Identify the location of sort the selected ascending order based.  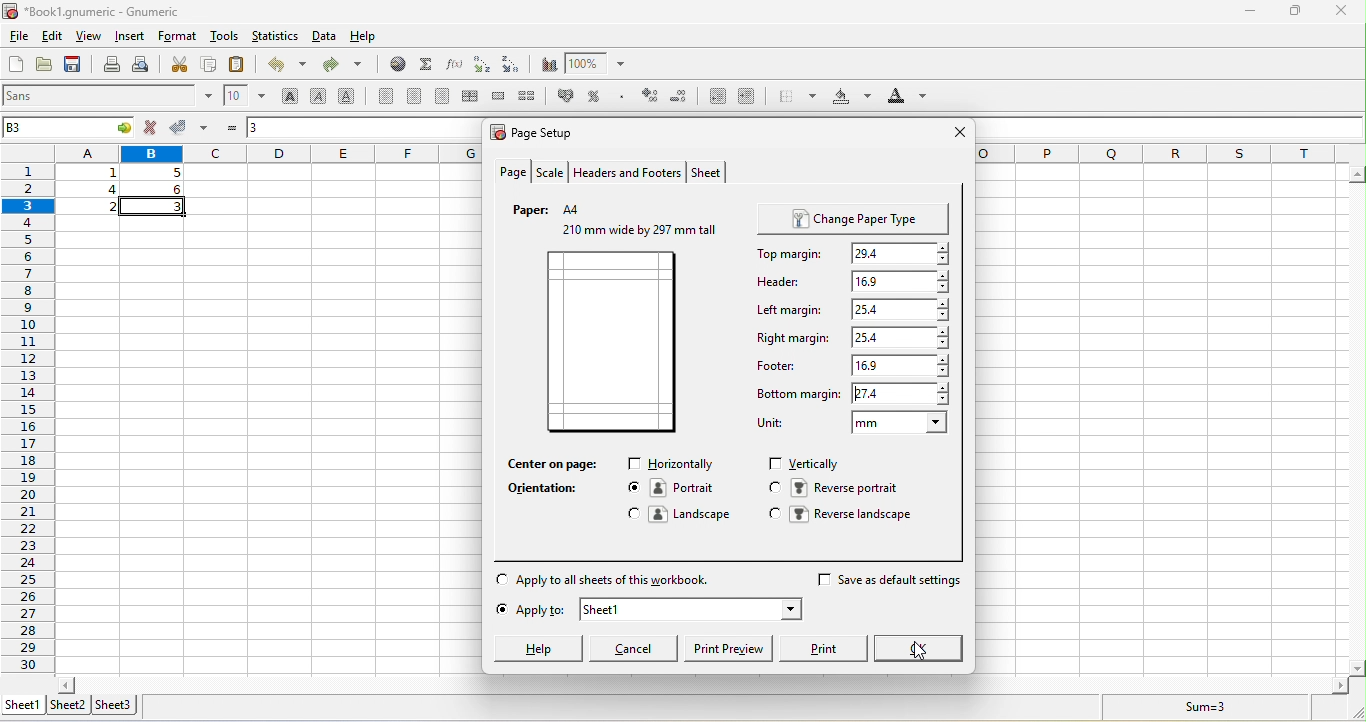
(483, 65).